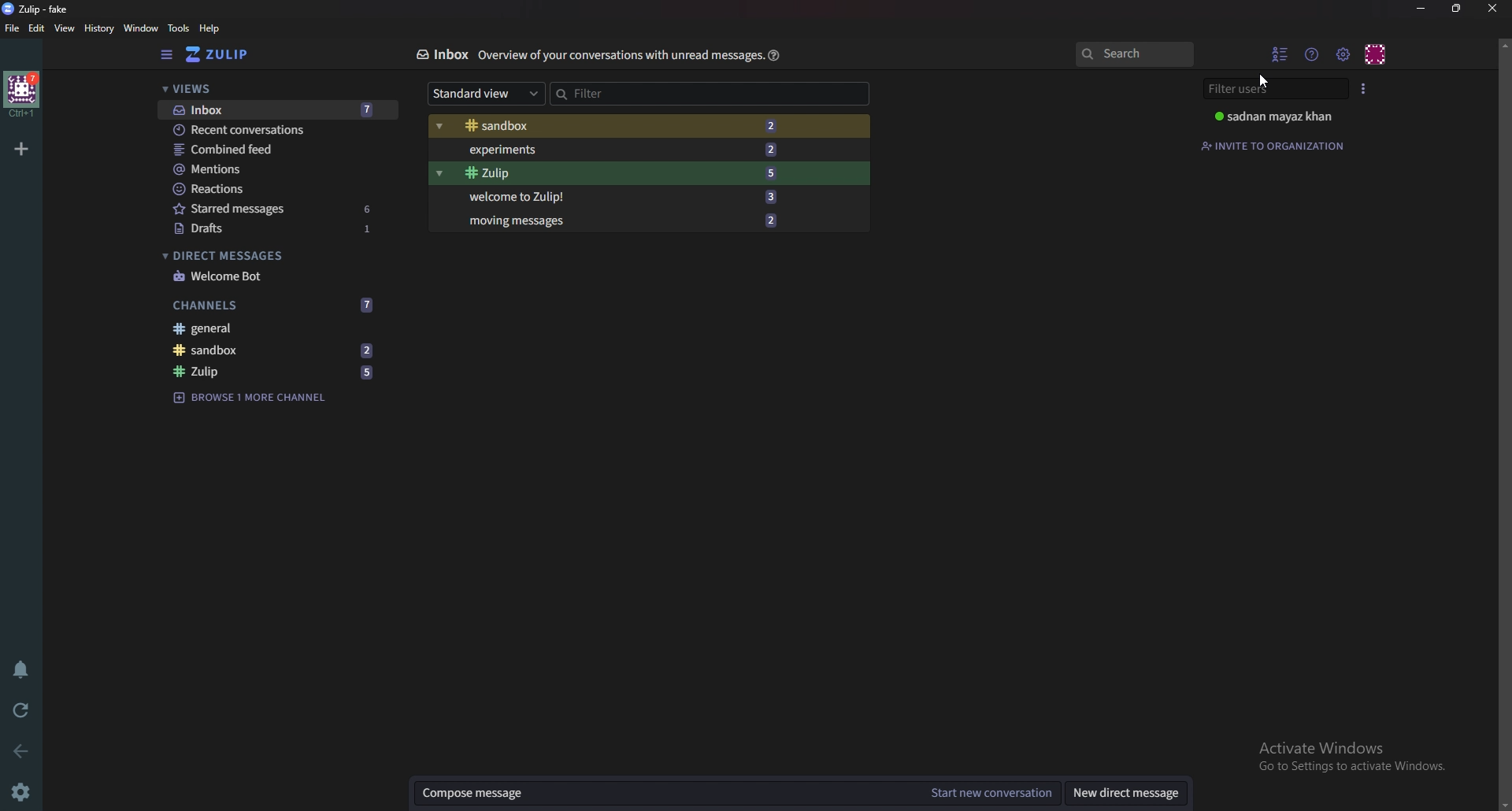  I want to click on Start new conversation, so click(989, 794).